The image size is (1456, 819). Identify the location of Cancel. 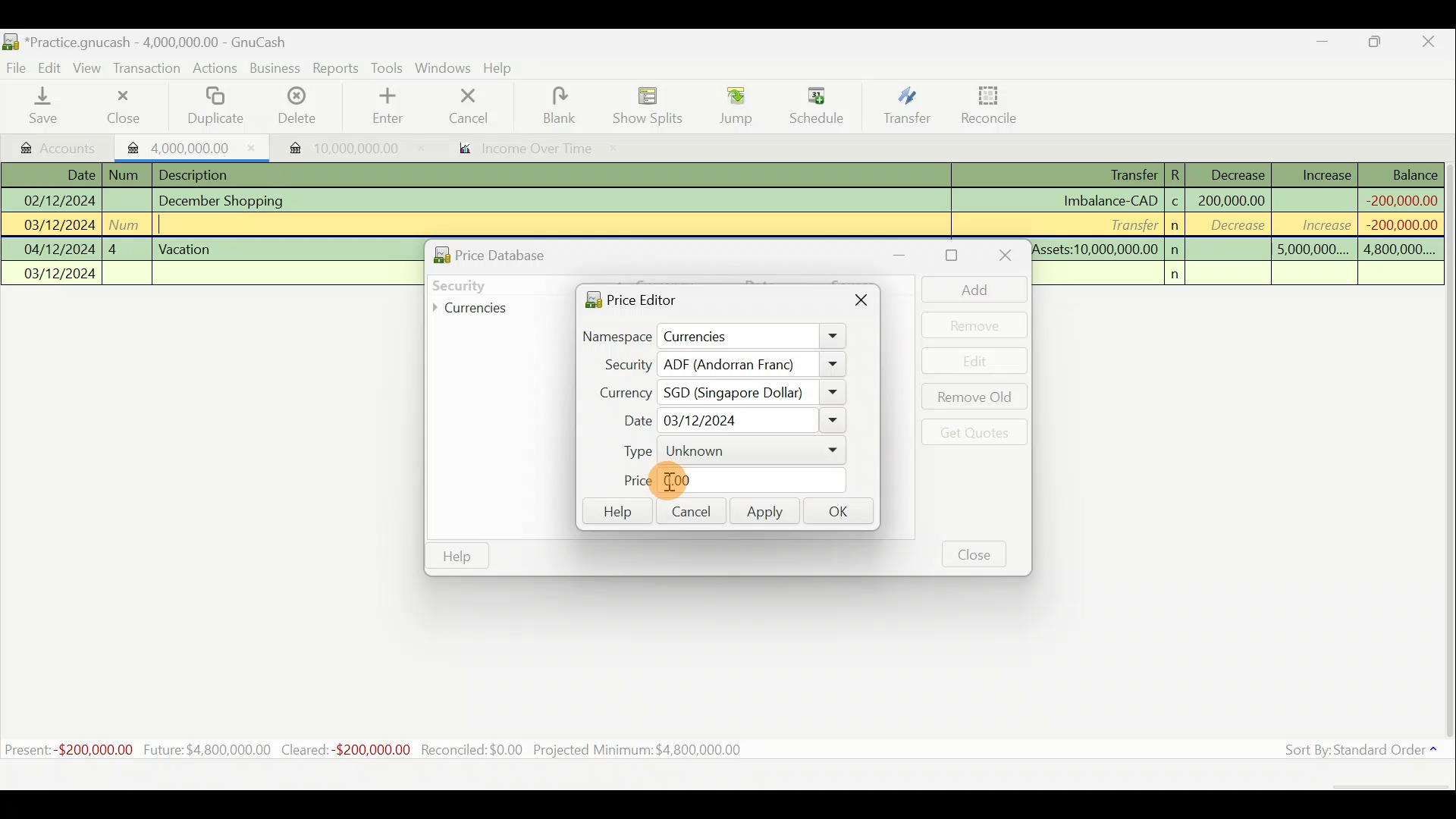
(689, 510).